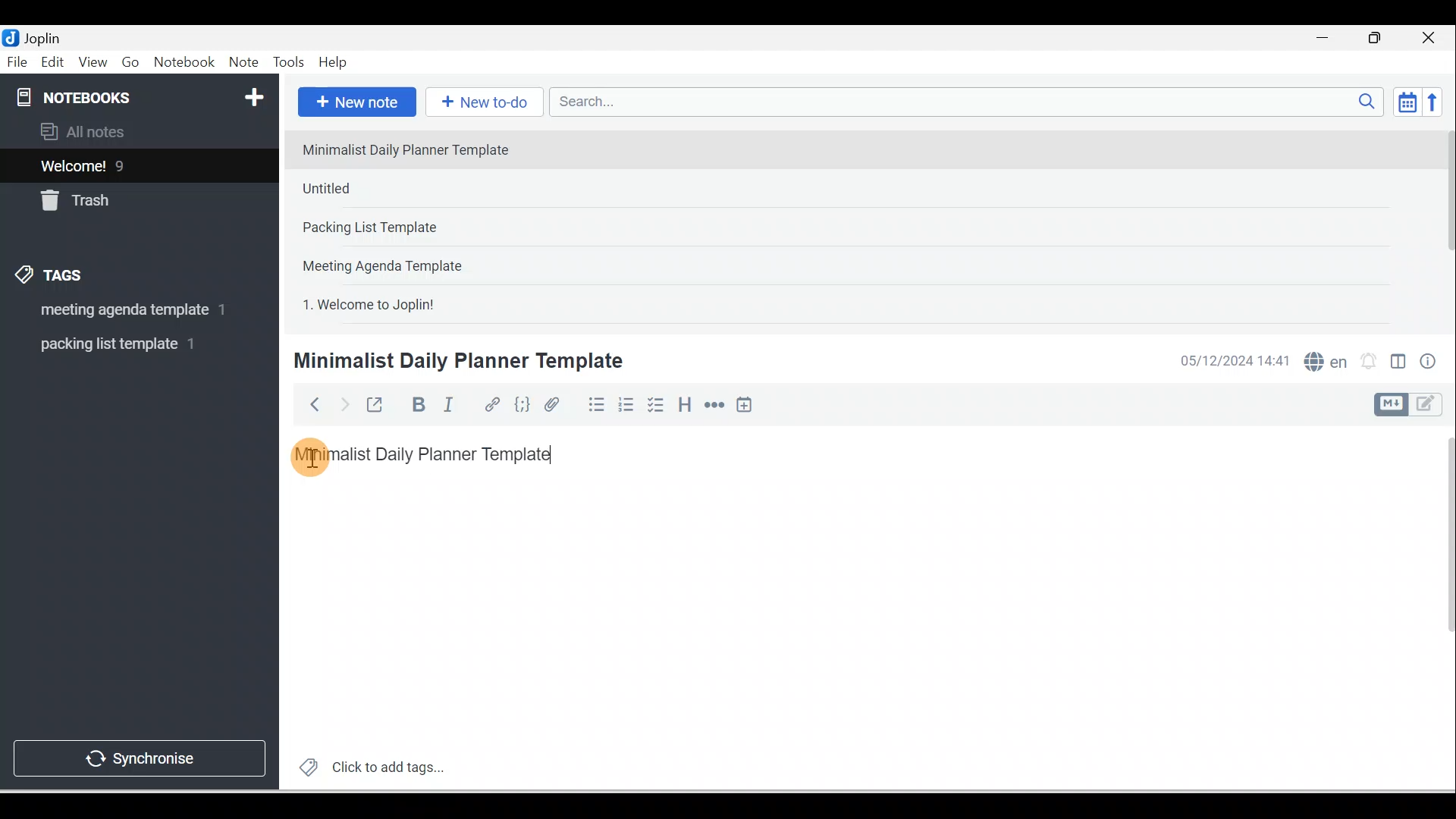 The image size is (1456, 819). Describe the element at coordinates (626, 404) in the screenshot. I see `Numbered list` at that location.